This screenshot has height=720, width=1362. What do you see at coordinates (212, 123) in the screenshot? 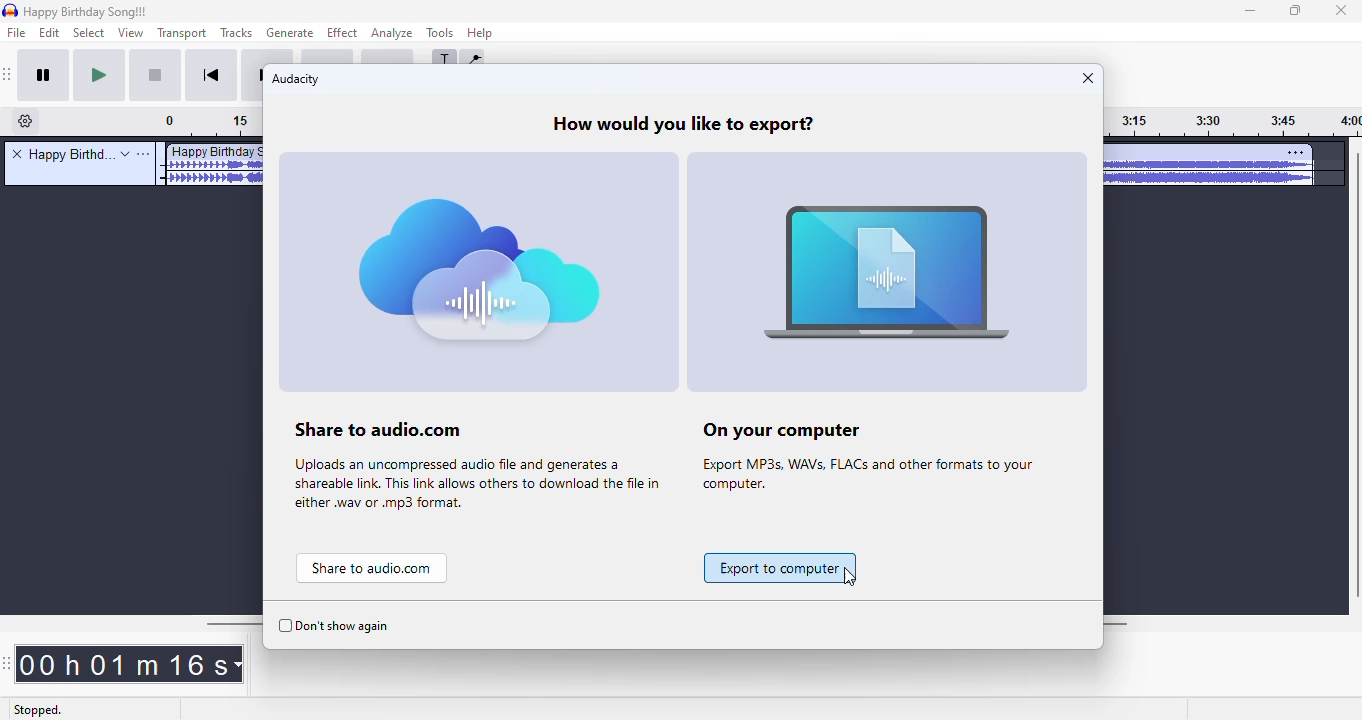
I see `Timeline` at bounding box center [212, 123].